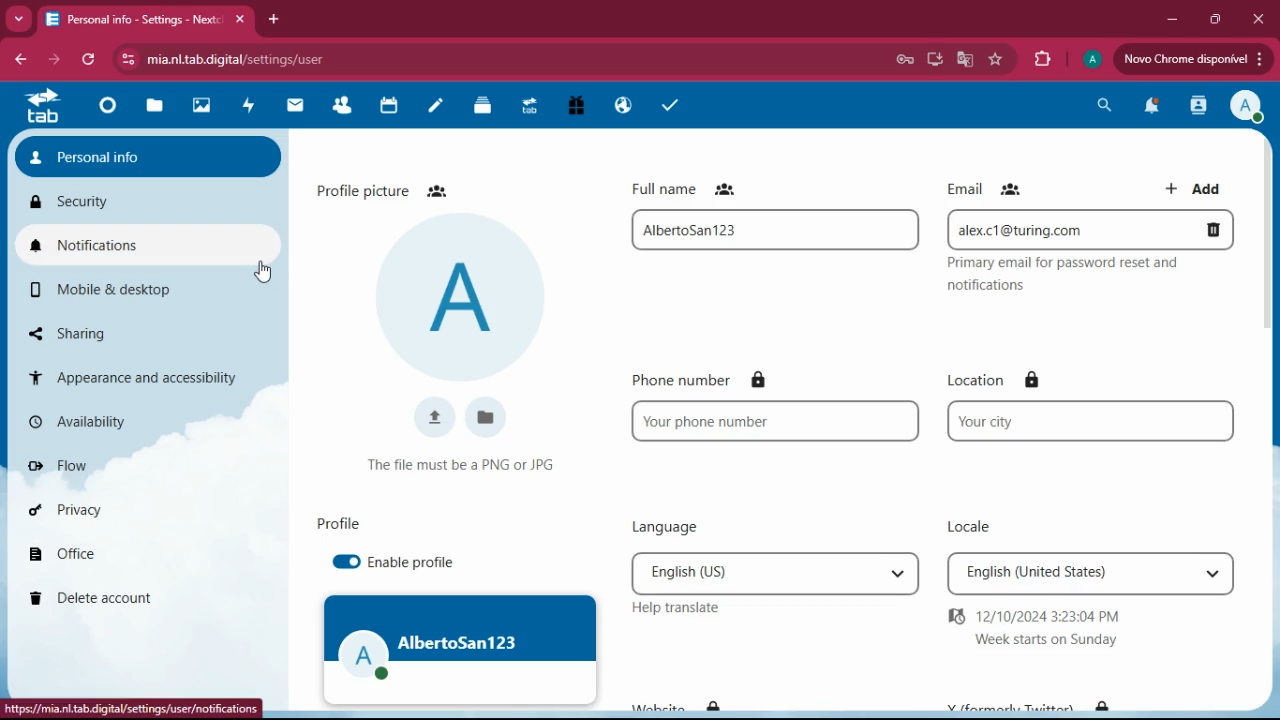 The height and width of the screenshot is (720, 1280). What do you see at coordinates (1259, 20) in the screenshot?
I see `close` at bounding box center [1259, 20].